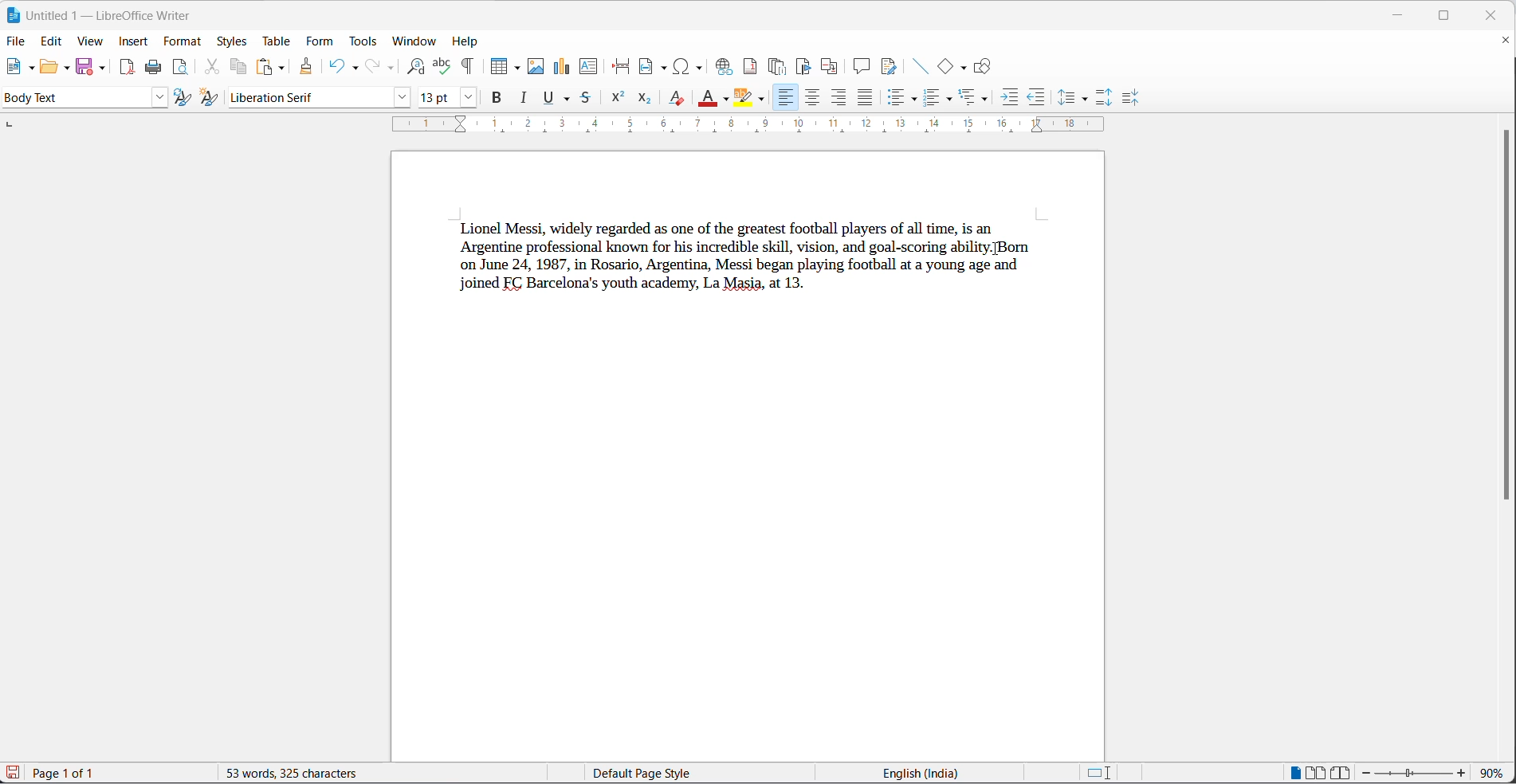 The height and width of the screenshot is (784, 1516). What do you see at coordinates (1106, 99) in the screenshot?
I see `increase paragraph spacing` at bounding box center [1106, 99].